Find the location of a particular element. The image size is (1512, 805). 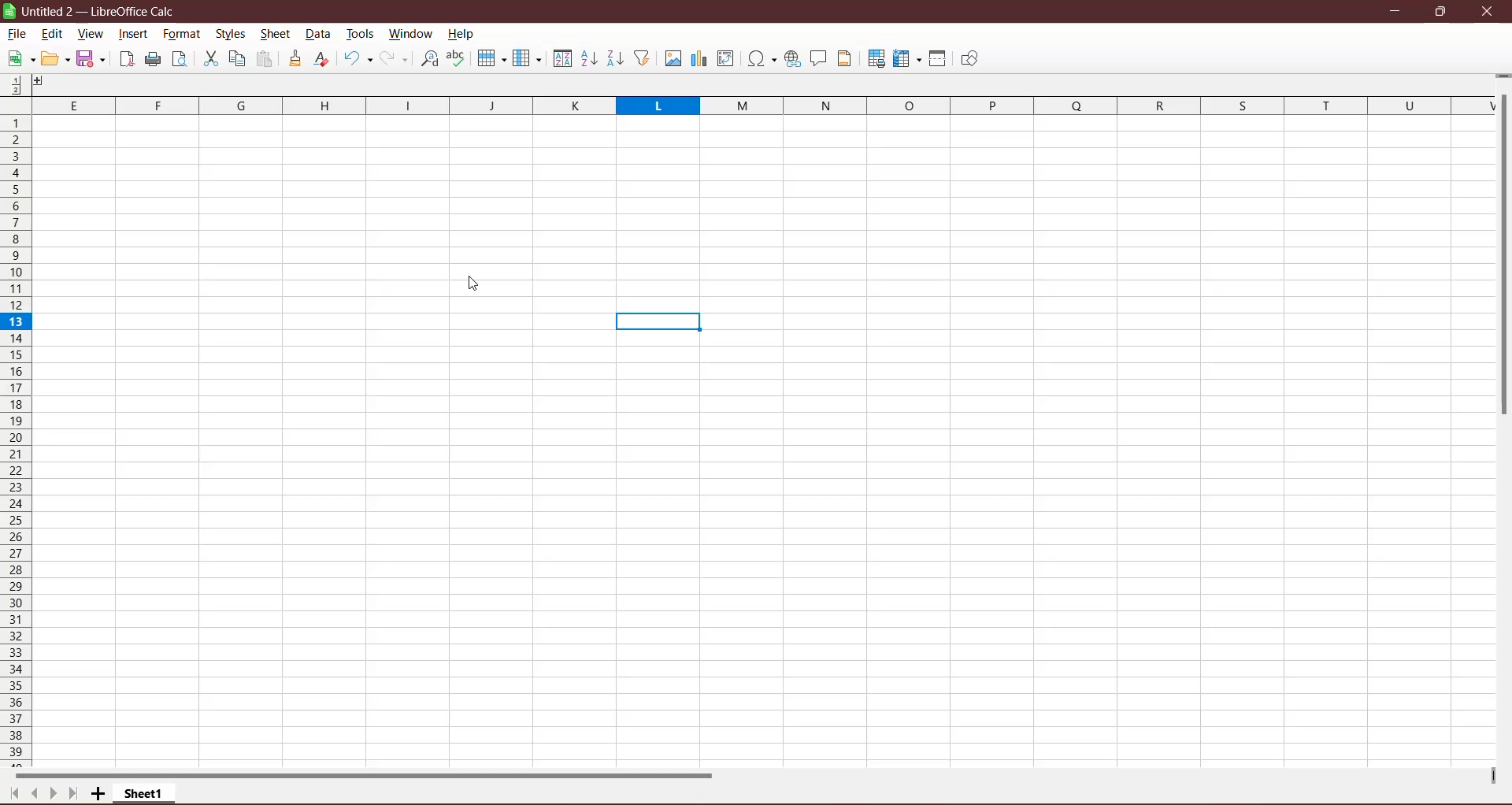

New is located at coordinates (19, 59).